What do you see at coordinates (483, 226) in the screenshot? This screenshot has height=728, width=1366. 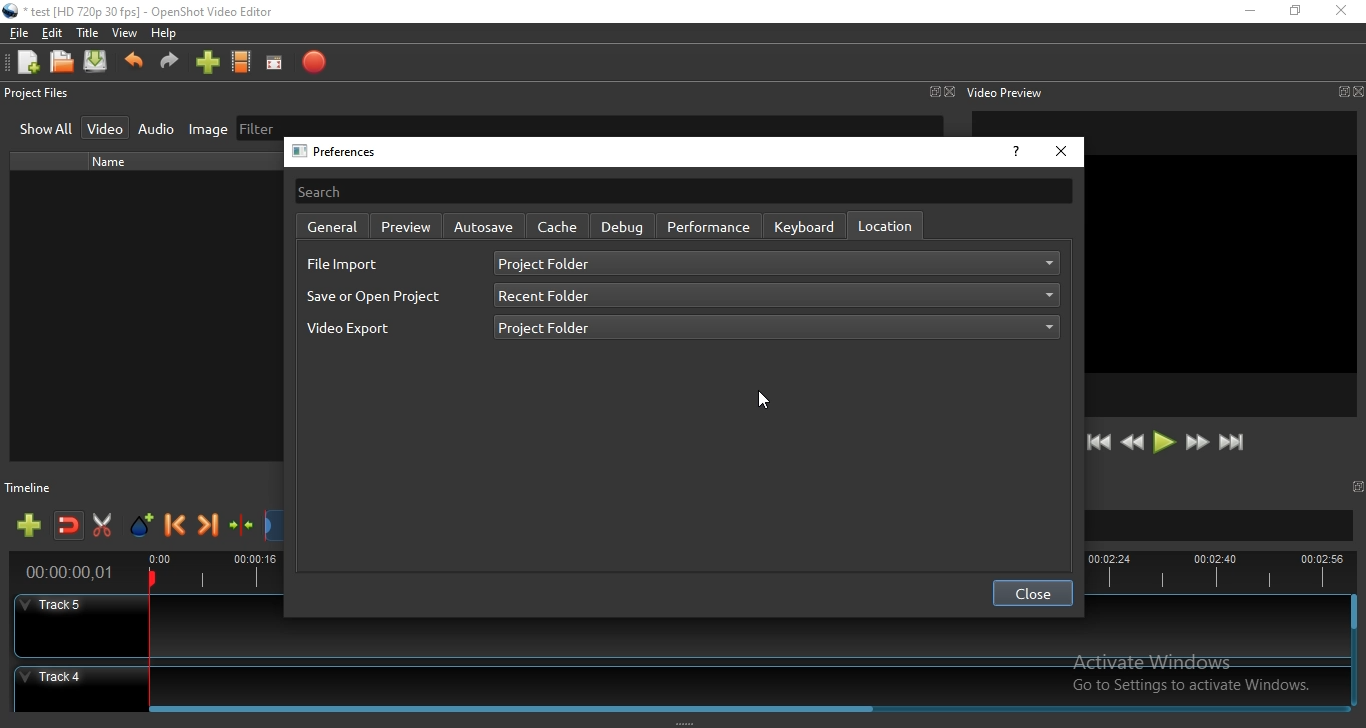 I see `Autosave` at bounding box center [483, 226].